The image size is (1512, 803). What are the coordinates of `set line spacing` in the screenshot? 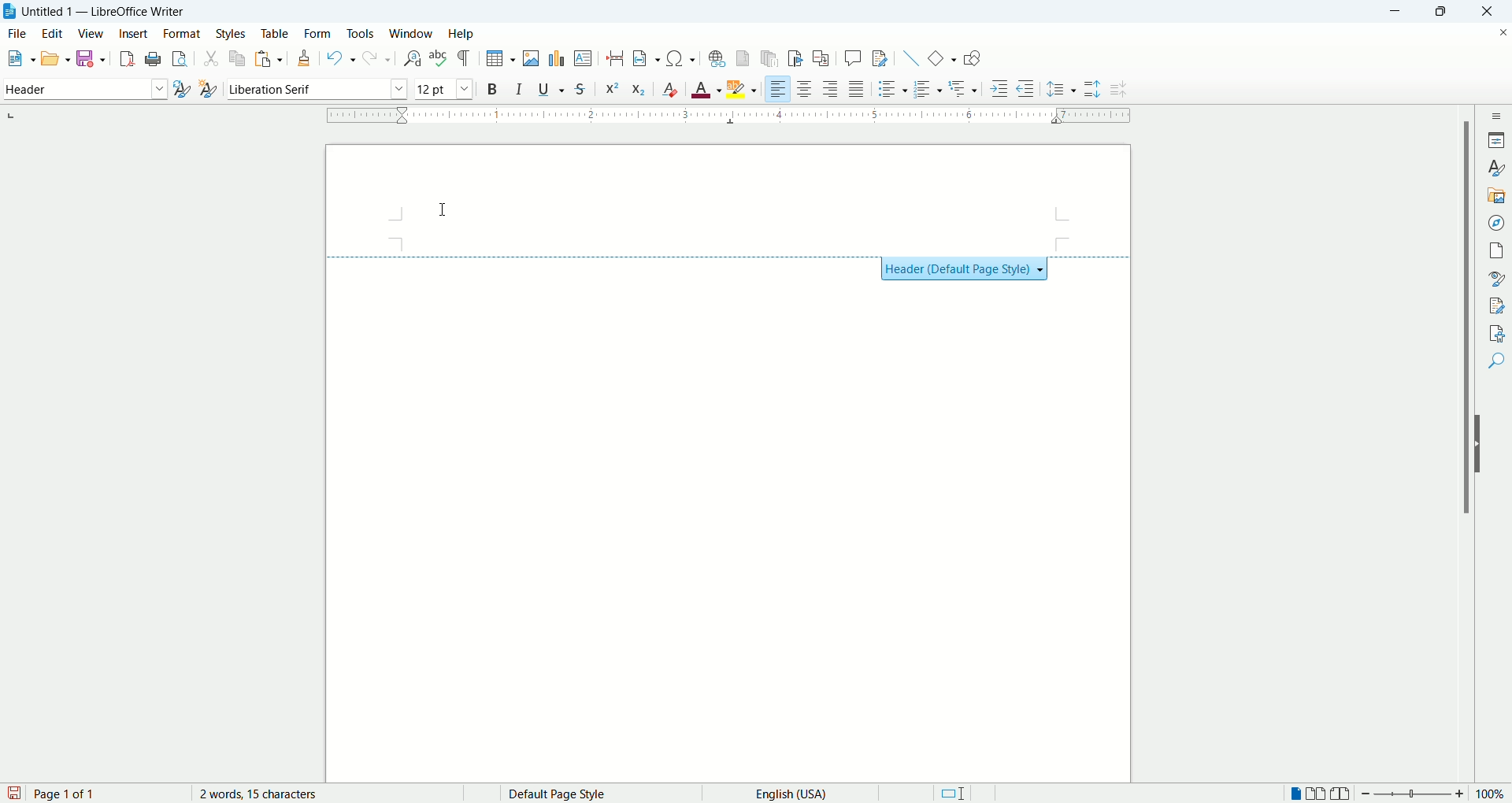 It's located at (1061, 88).